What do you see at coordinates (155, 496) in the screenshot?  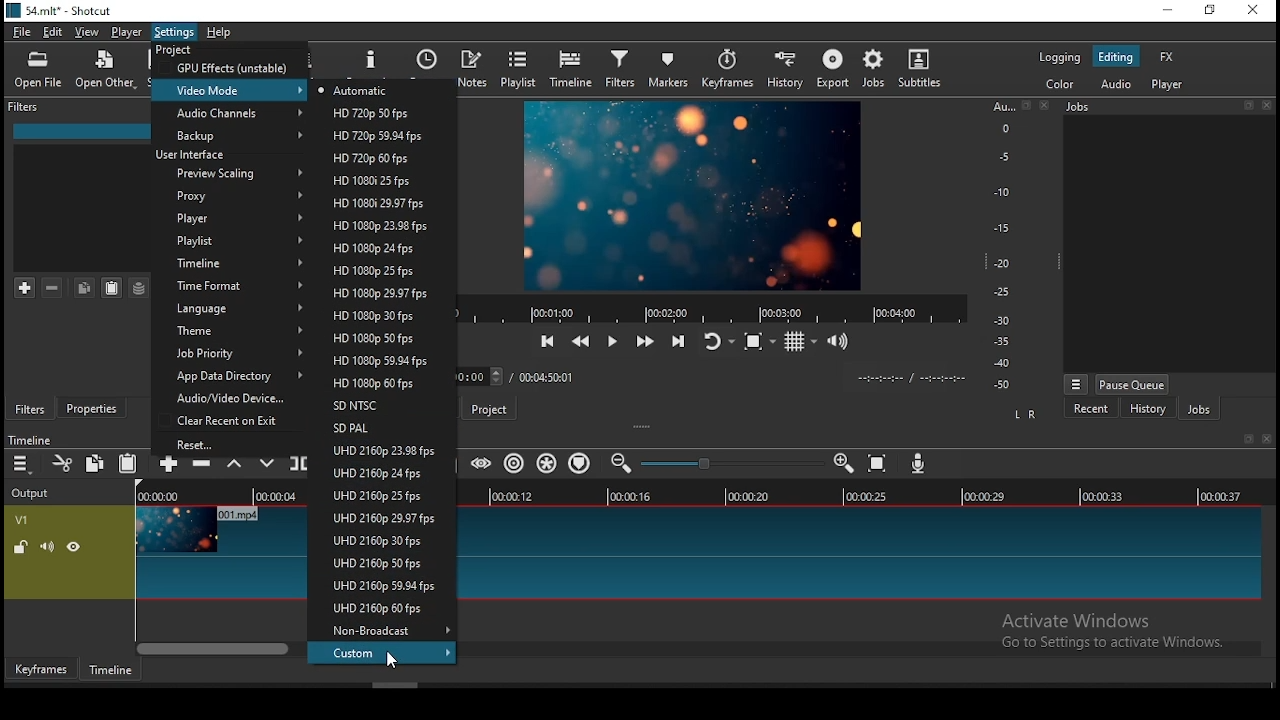 I see `00:00:00` at bounding box center [155, 496].